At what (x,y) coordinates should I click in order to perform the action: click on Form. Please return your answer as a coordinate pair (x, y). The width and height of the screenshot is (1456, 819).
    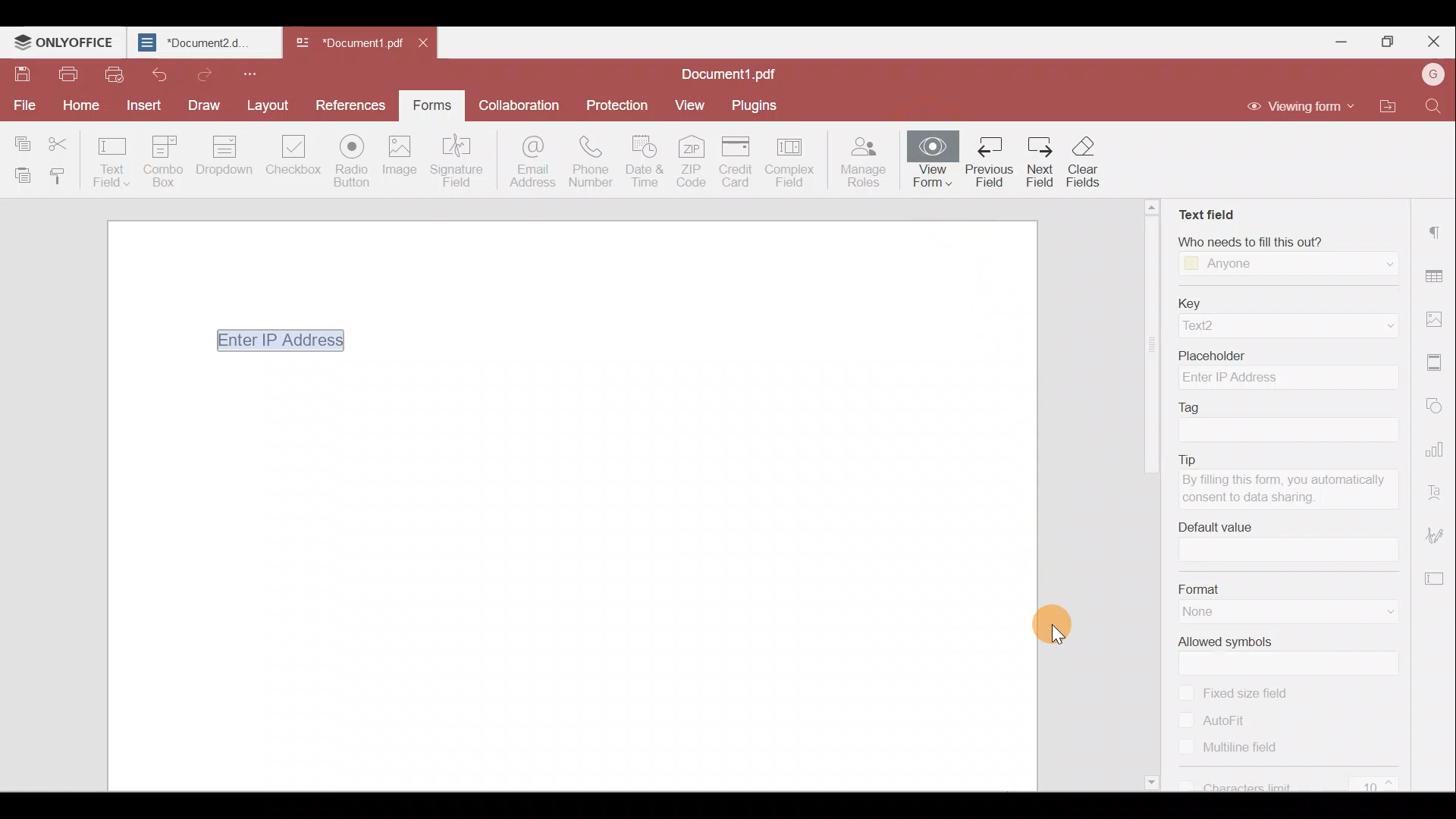
    Looking at the image, I should click on (431, 103).